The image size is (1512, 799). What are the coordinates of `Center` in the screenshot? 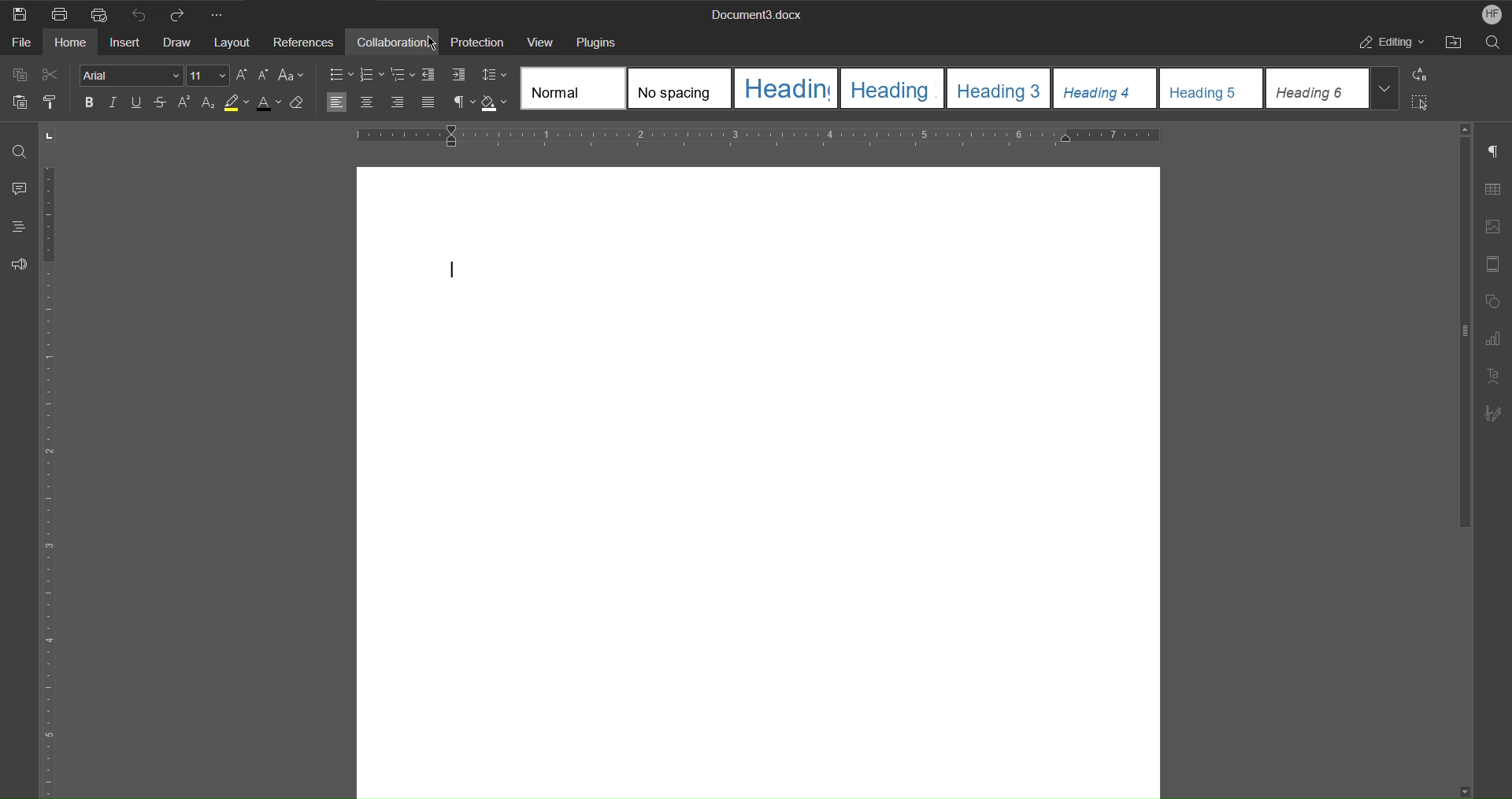 It's located at (364, 102).